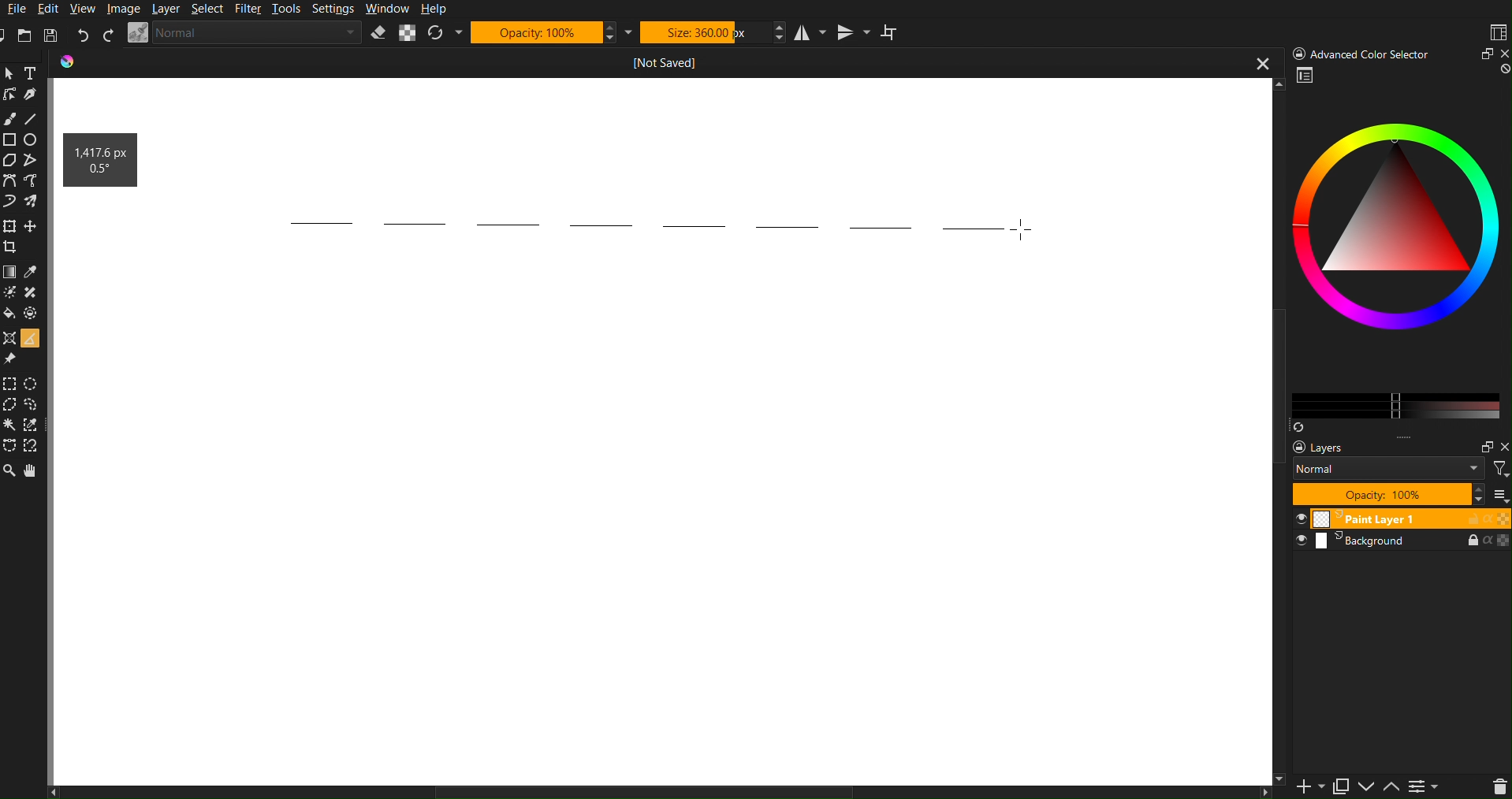  I want to click on Redo, so click(108, 35).